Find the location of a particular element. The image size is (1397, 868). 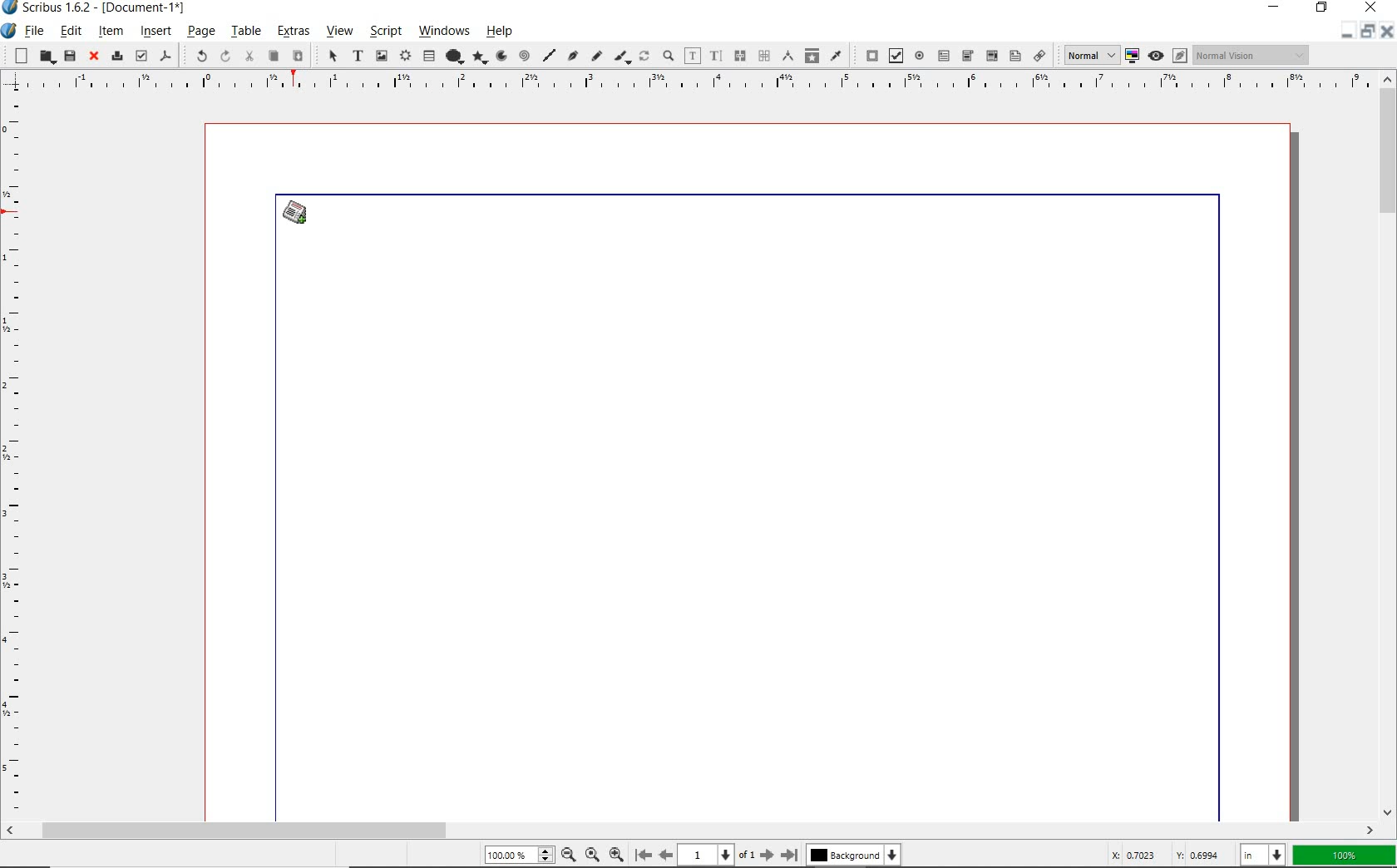

line is located at coordinates (548, 57).